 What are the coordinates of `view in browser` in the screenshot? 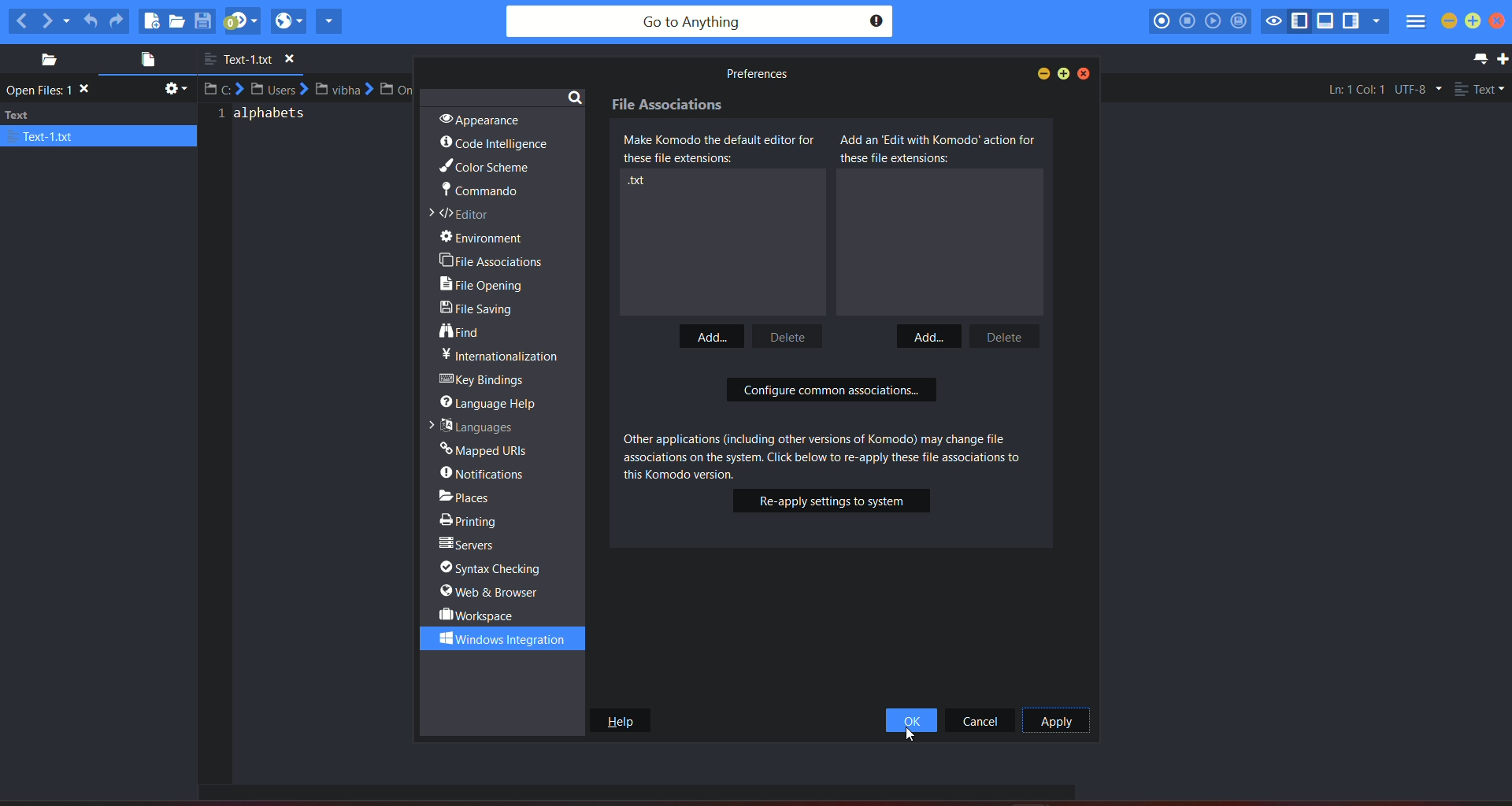 It's located at (288, 20).